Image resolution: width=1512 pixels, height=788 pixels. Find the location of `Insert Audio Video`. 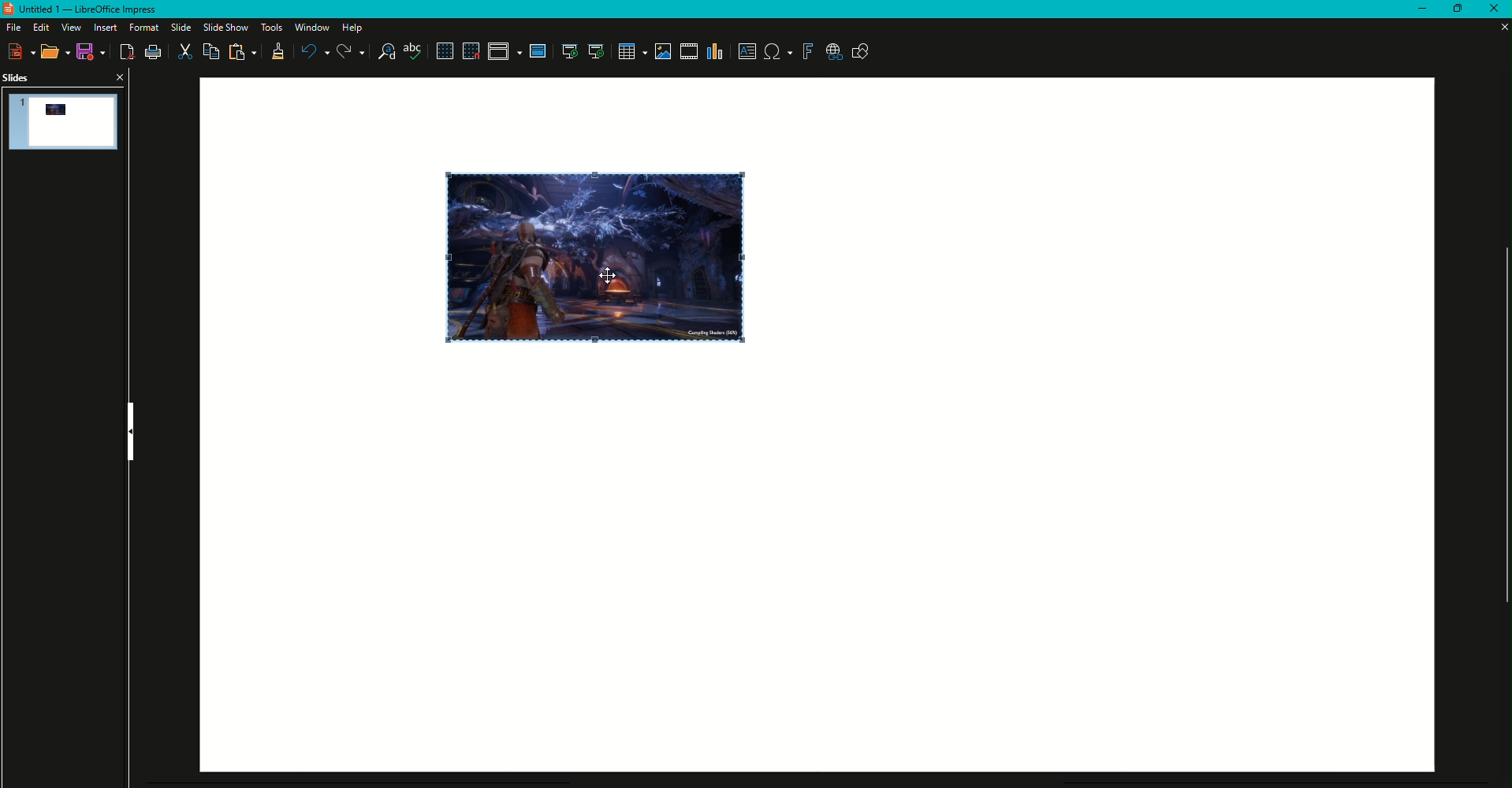

Insert Audio Video is located at coordinates (687, 52).